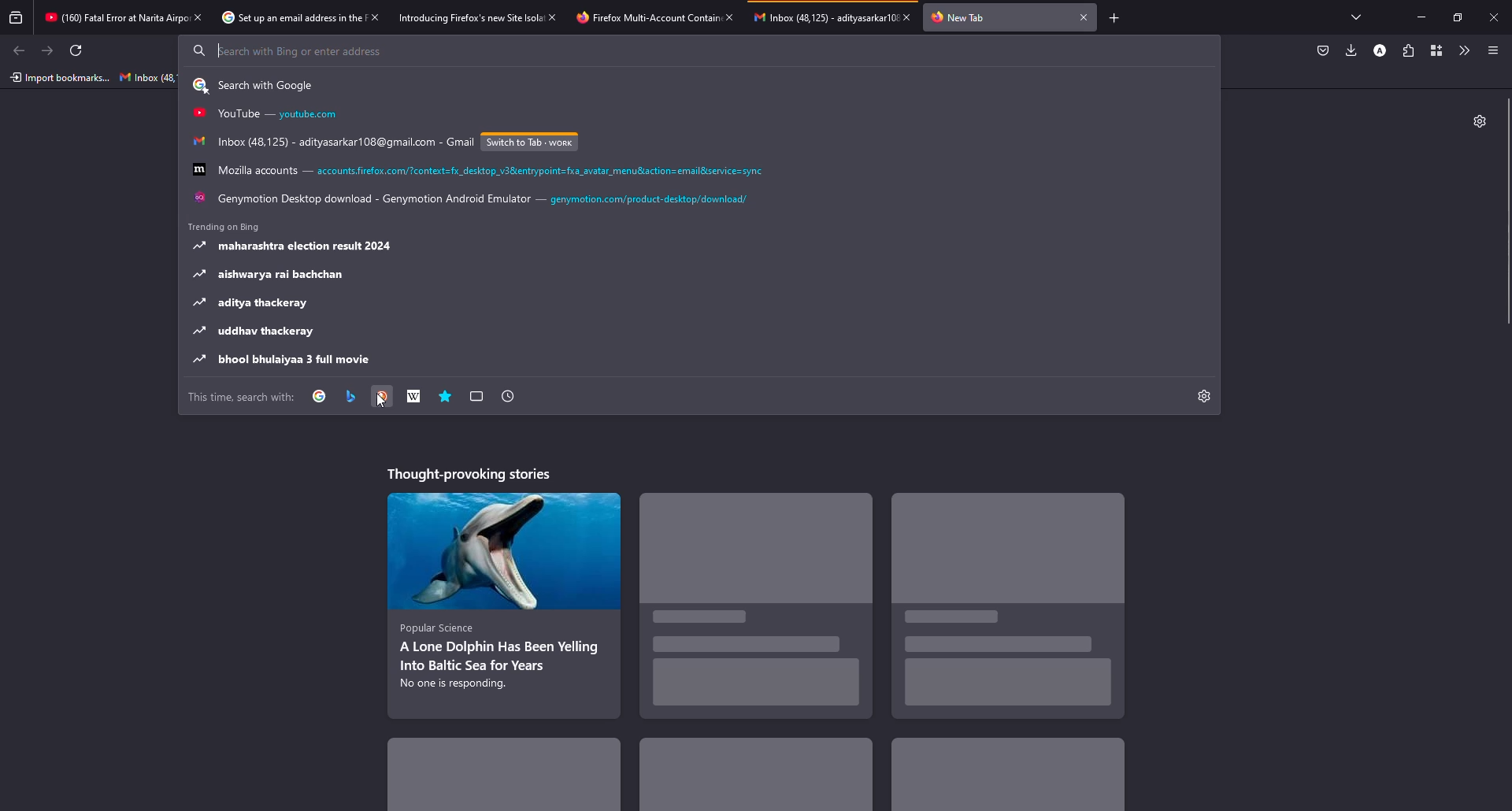 This screenshot has width=1512, height=811. Describe the element at coordinates (280, 18) in the screenshot. I see `tab` at that location.